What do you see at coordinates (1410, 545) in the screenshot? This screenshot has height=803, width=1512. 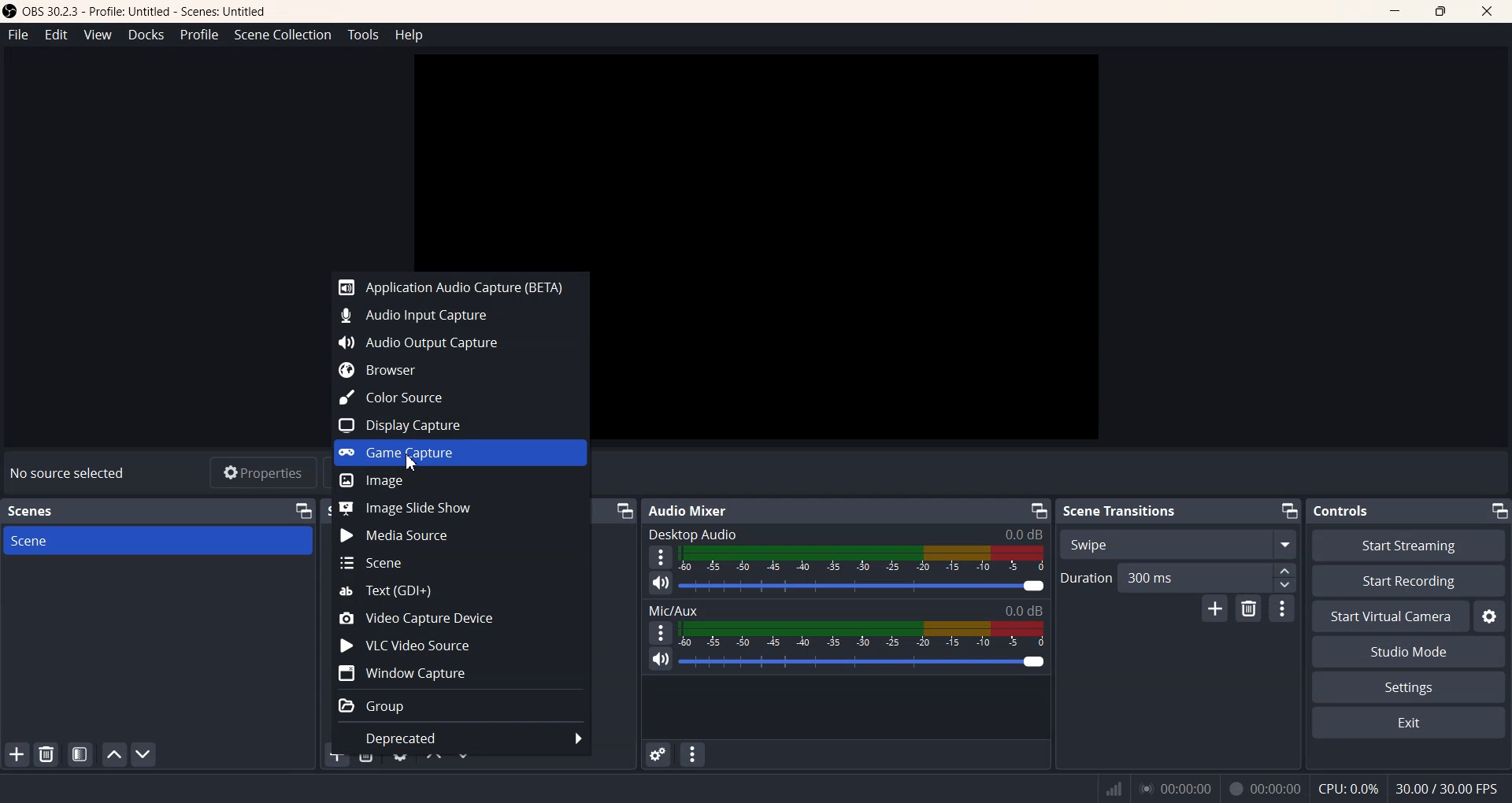 I see `Start streaming` at bounding box center [1410, 545].